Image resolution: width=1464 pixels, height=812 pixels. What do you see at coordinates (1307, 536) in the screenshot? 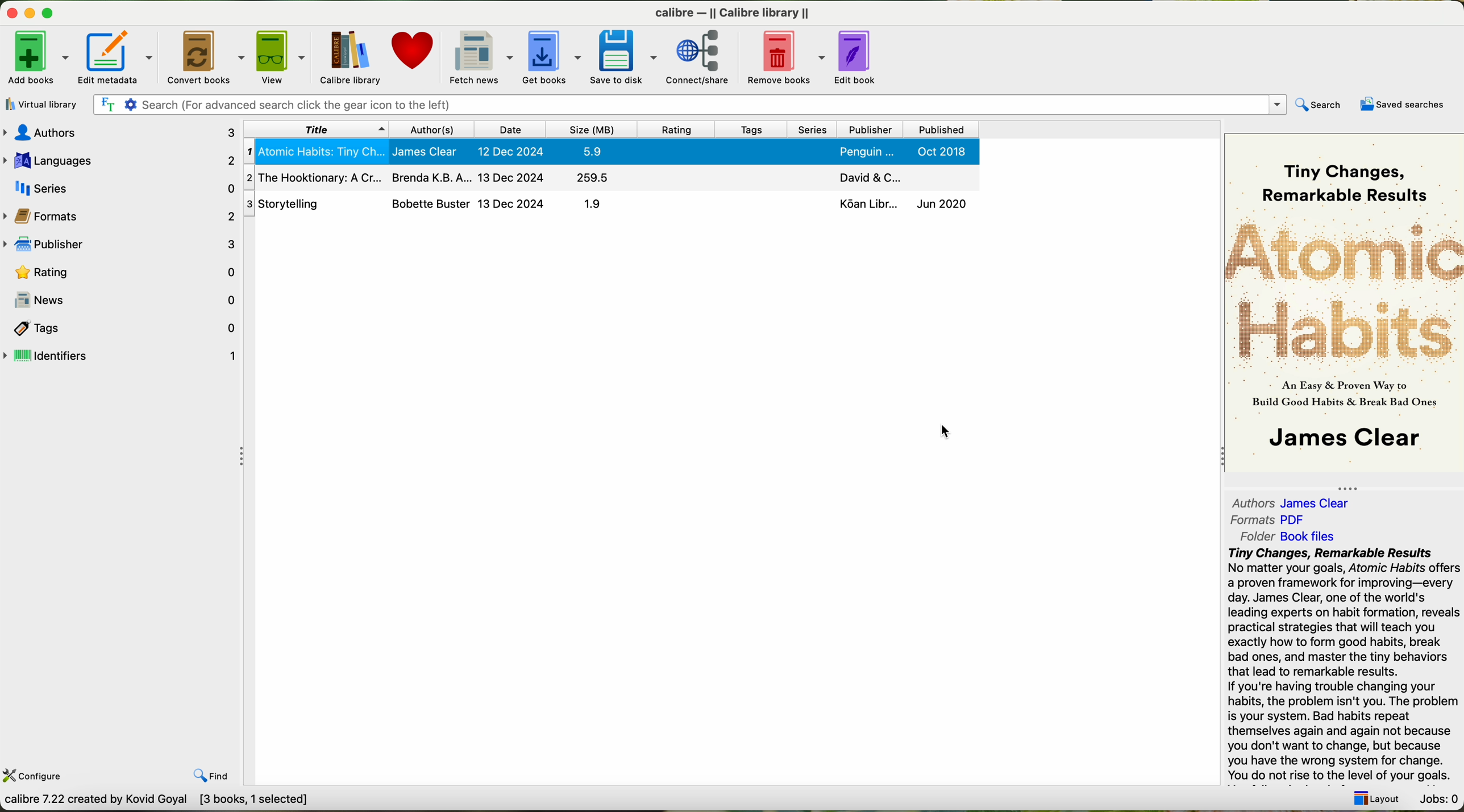
I see `Book file` at bounding box center [1307, 536].